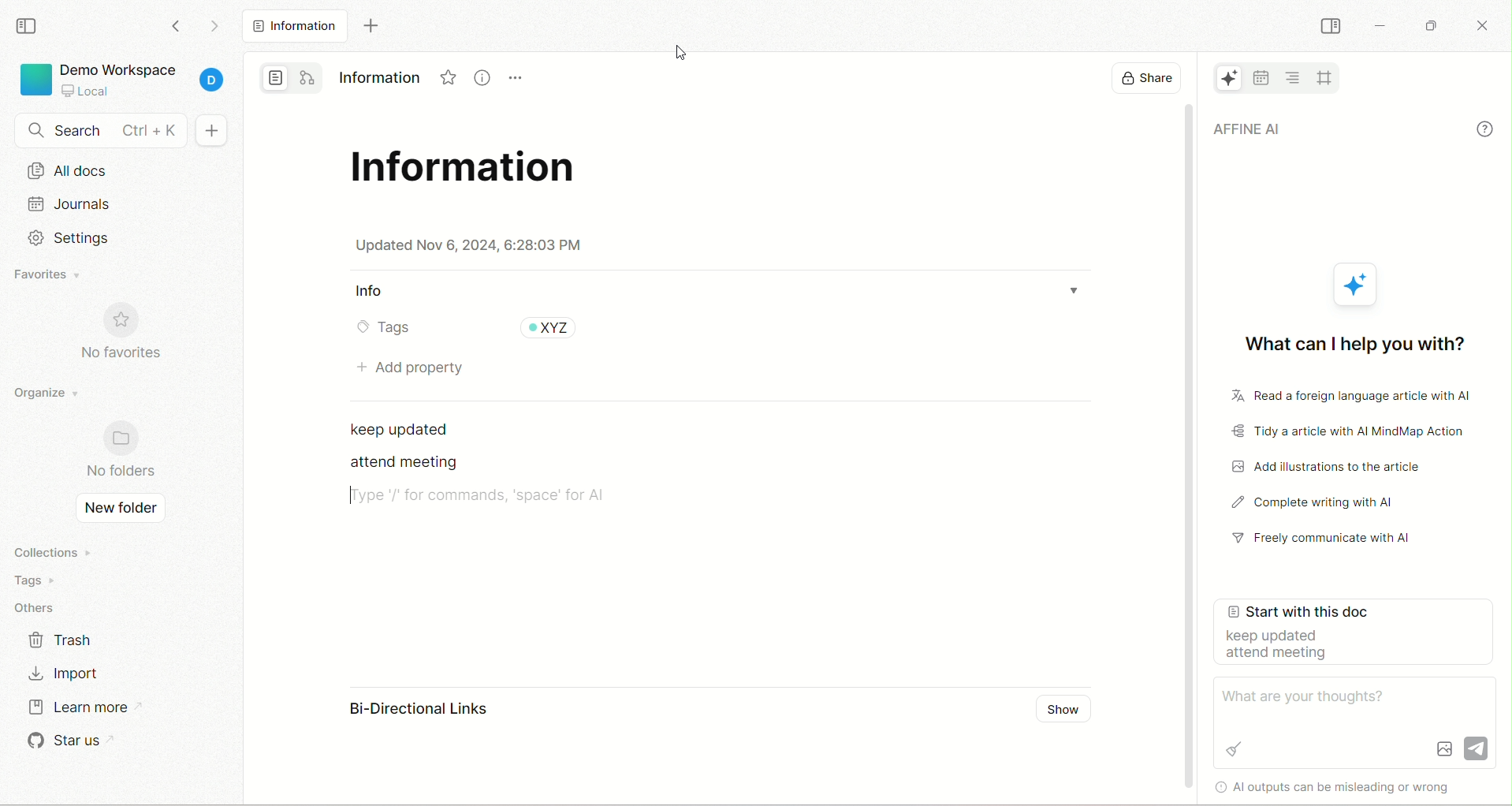 This screenshot has height=806, width=1512. Describe the element at coordinates (121, 510) in the screenshot. I see `new folder` at that location.